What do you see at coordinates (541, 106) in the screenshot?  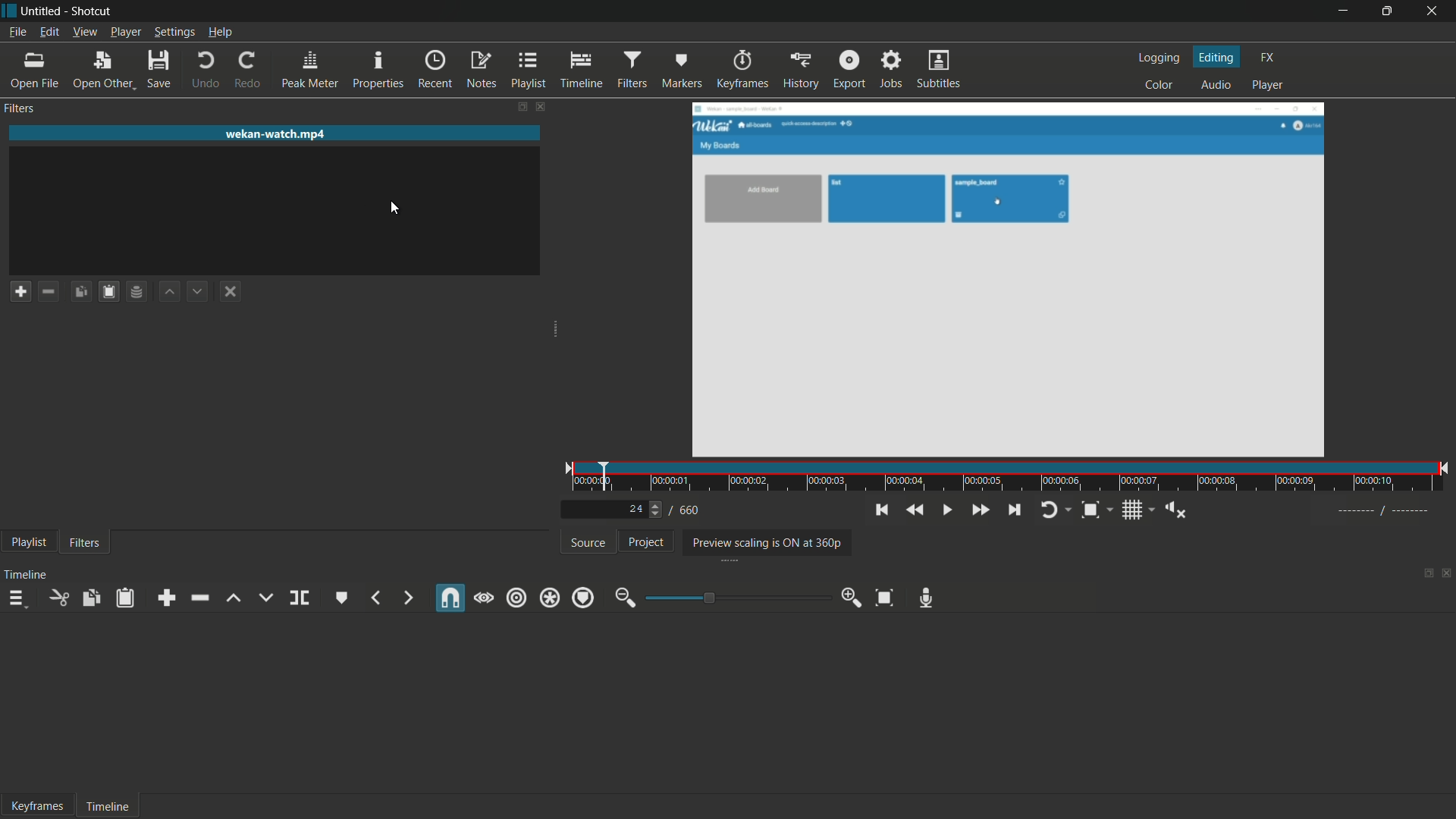 I see `close filters` at bounding box center [541, 106].